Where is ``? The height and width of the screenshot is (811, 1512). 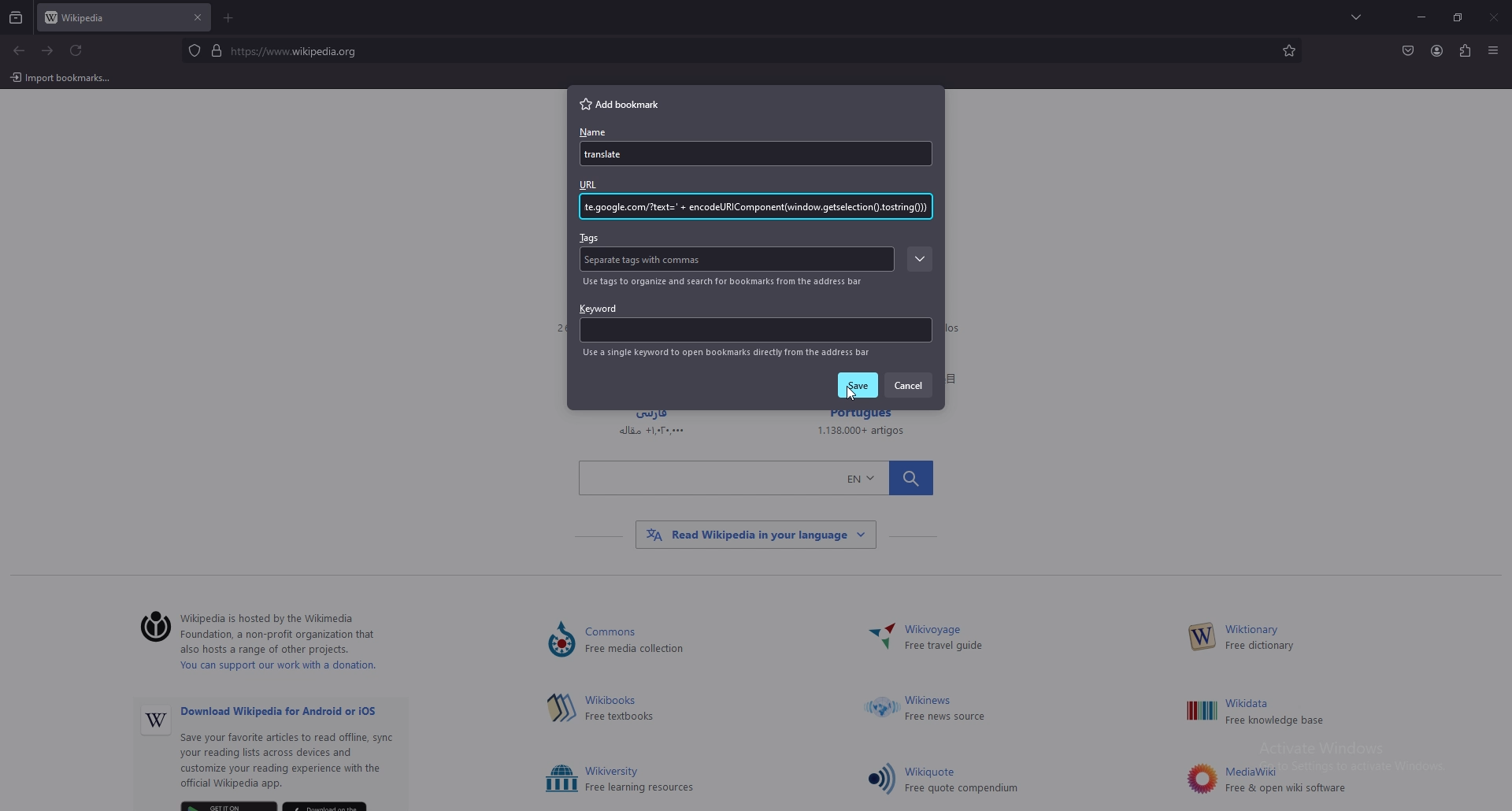  is located at coordinates (300, 750).